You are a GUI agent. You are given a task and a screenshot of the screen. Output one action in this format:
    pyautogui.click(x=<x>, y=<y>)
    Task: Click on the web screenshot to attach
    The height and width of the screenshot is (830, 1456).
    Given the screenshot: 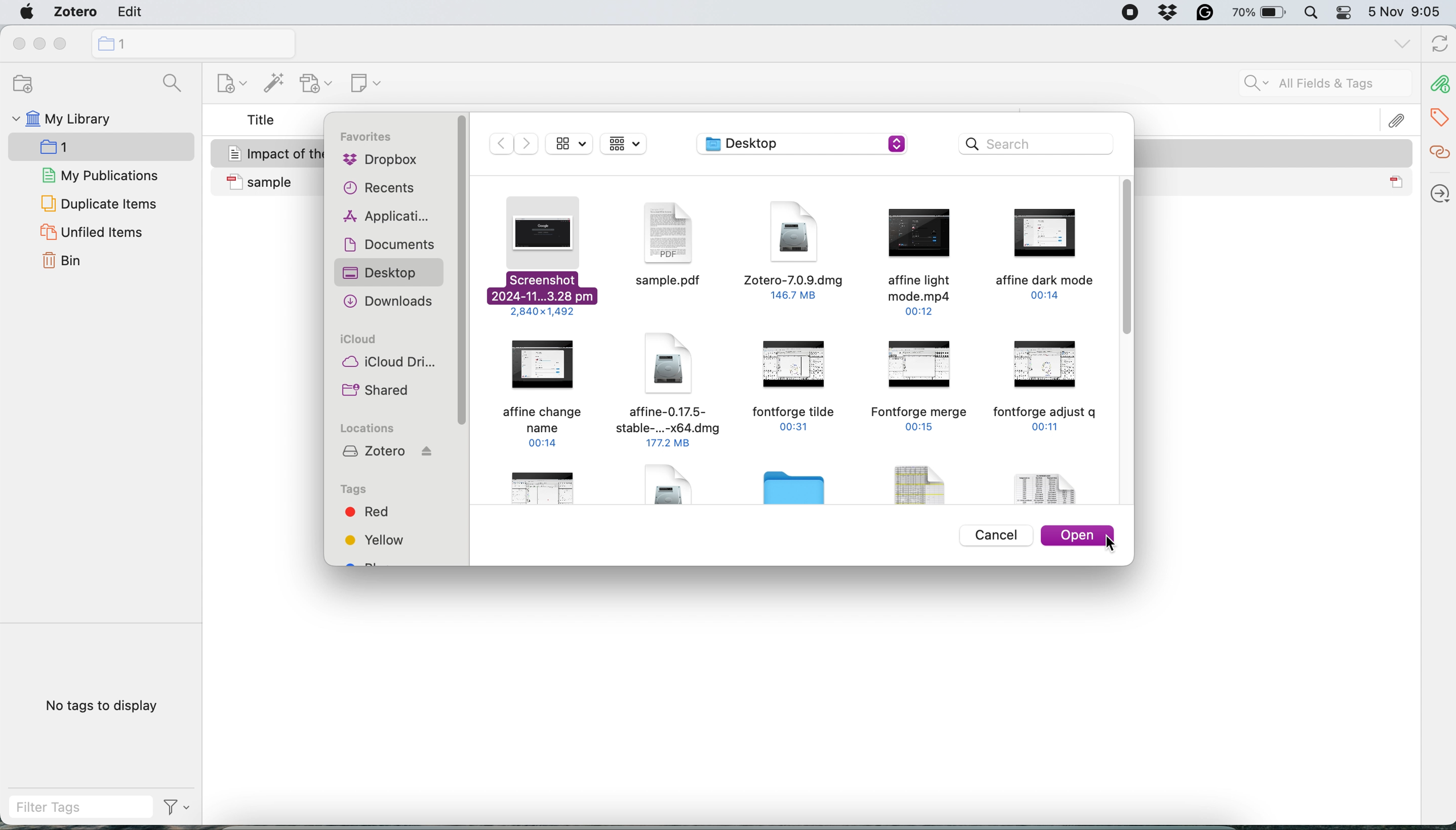 What is the action you would take?
    pyautogui.click(x=544, y=254)
    